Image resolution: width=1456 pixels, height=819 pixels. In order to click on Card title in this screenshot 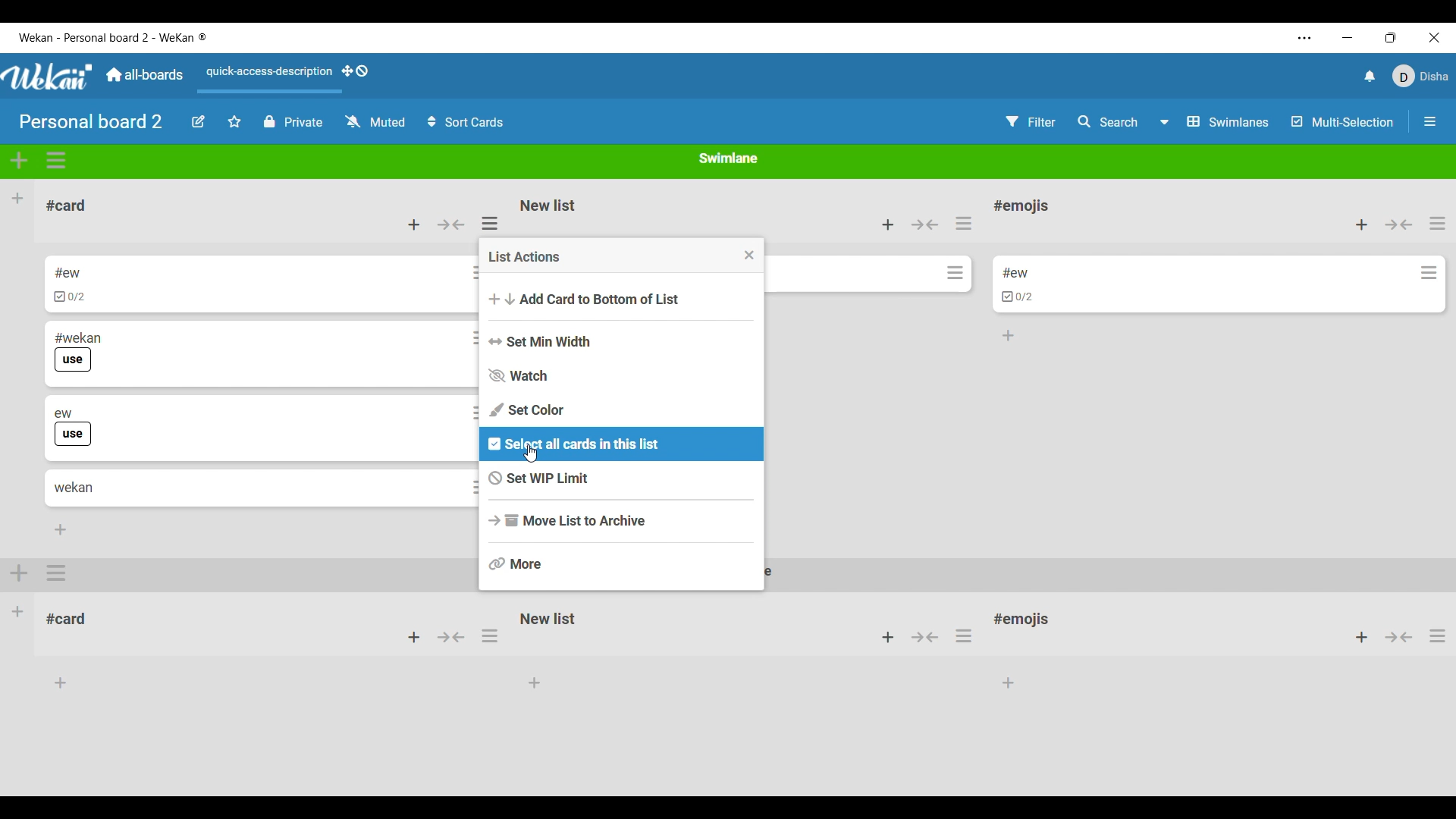, I will do `click(1015, 273)`.